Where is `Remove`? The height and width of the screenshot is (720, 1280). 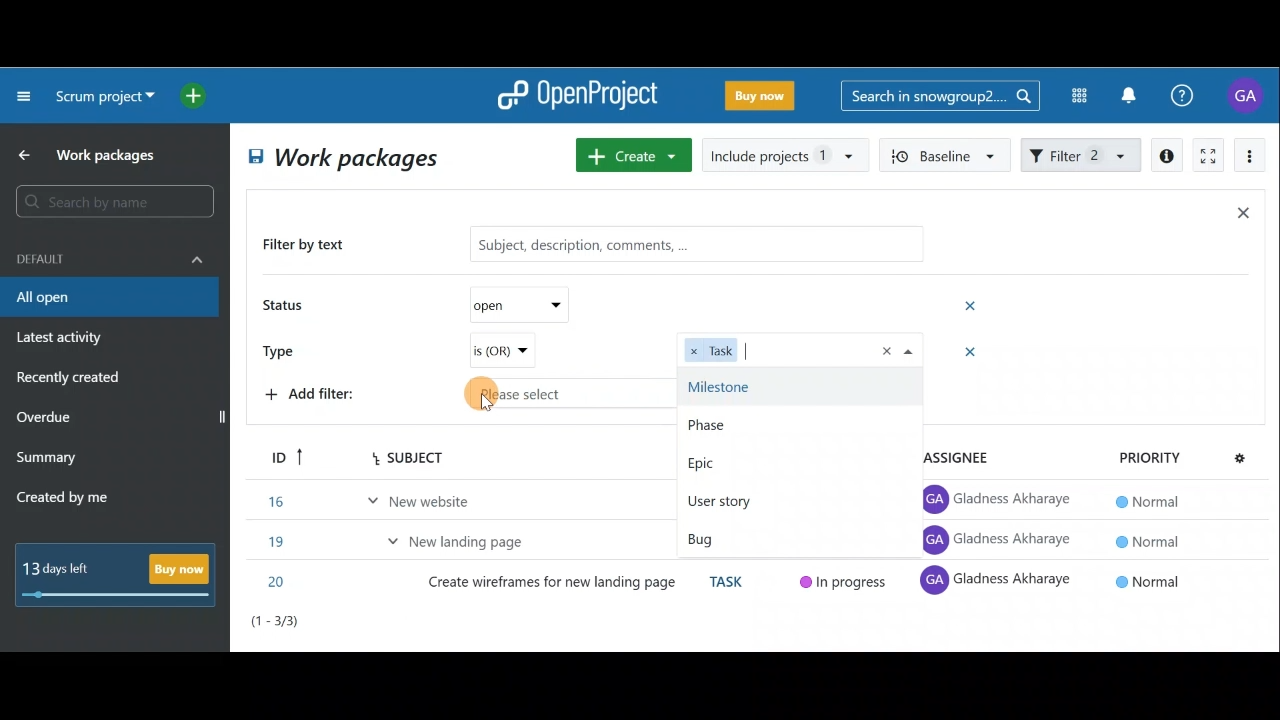
Remove is located at coordinates (963, 353).